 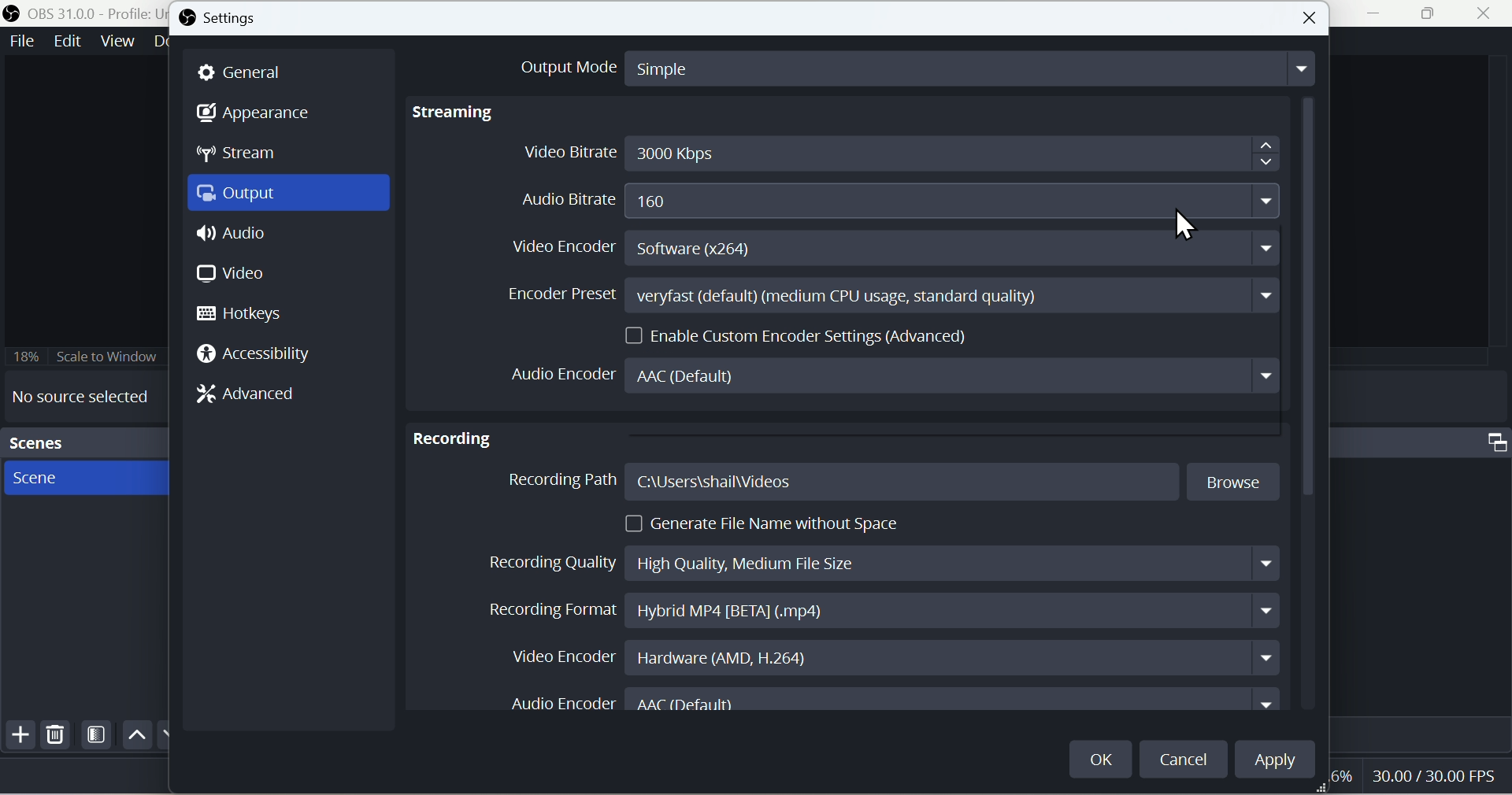 I want to click on OBS 31.0 .0, so click(x=82, y=13).